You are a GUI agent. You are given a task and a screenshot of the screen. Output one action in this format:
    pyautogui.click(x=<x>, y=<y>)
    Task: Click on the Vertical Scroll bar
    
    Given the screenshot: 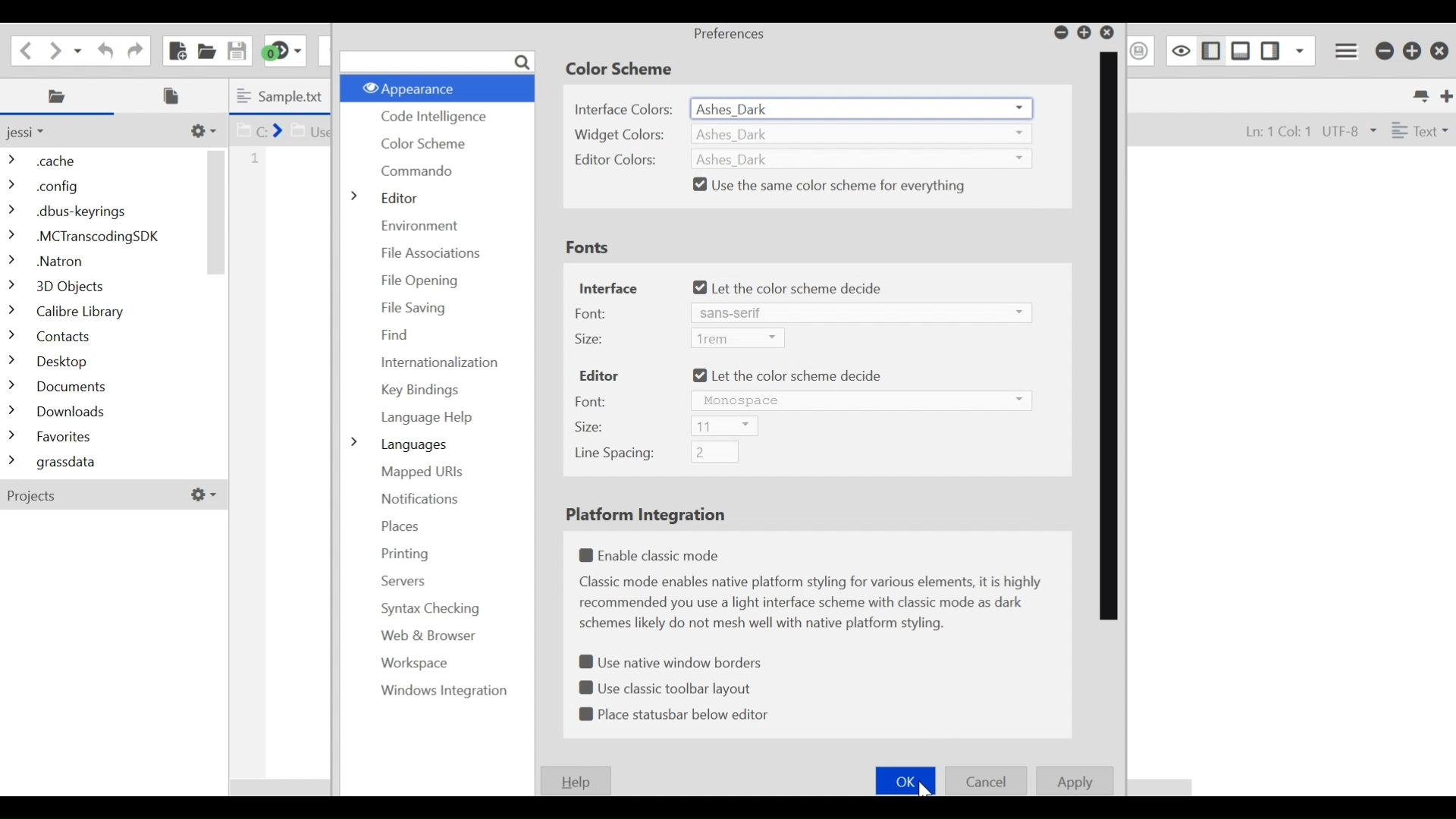 What is the action you would take?
    pyautogui.click(x=1109, y=336)
    